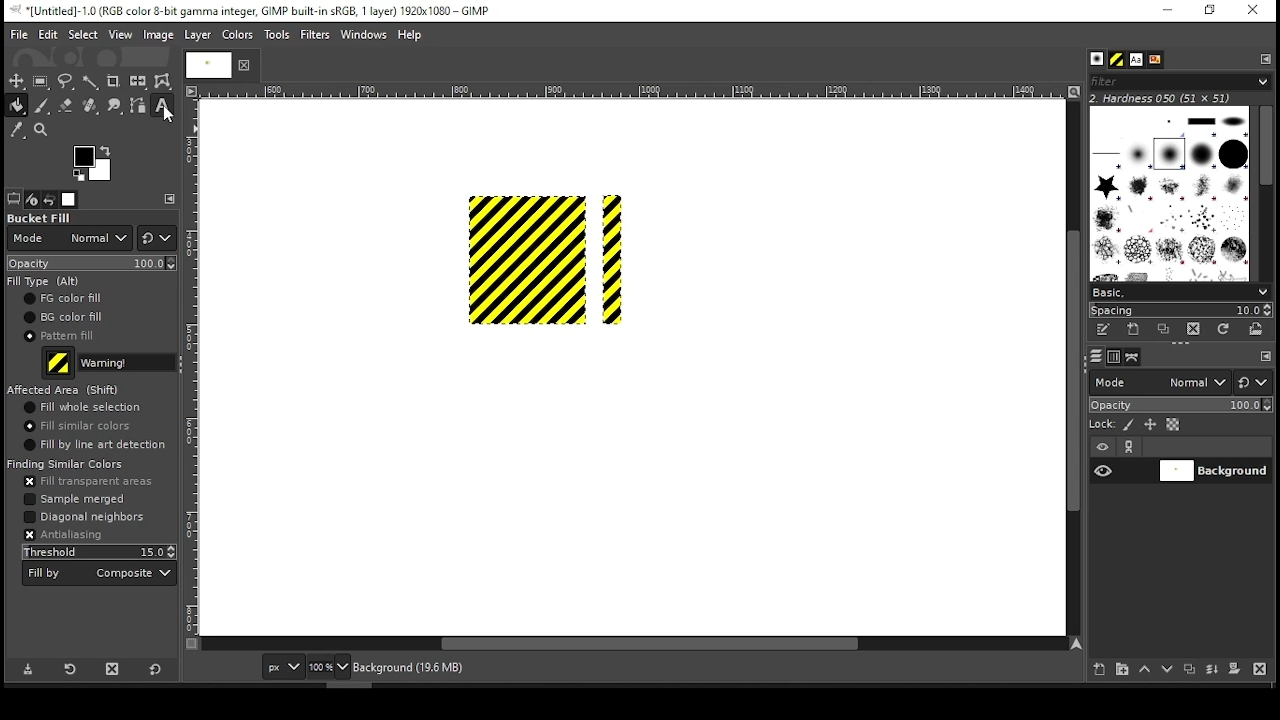 This screenshot has width=1280, height=720. Describe the element at coordinates (87, 482) in the screenshot. I see `fill transparent ` at that location.